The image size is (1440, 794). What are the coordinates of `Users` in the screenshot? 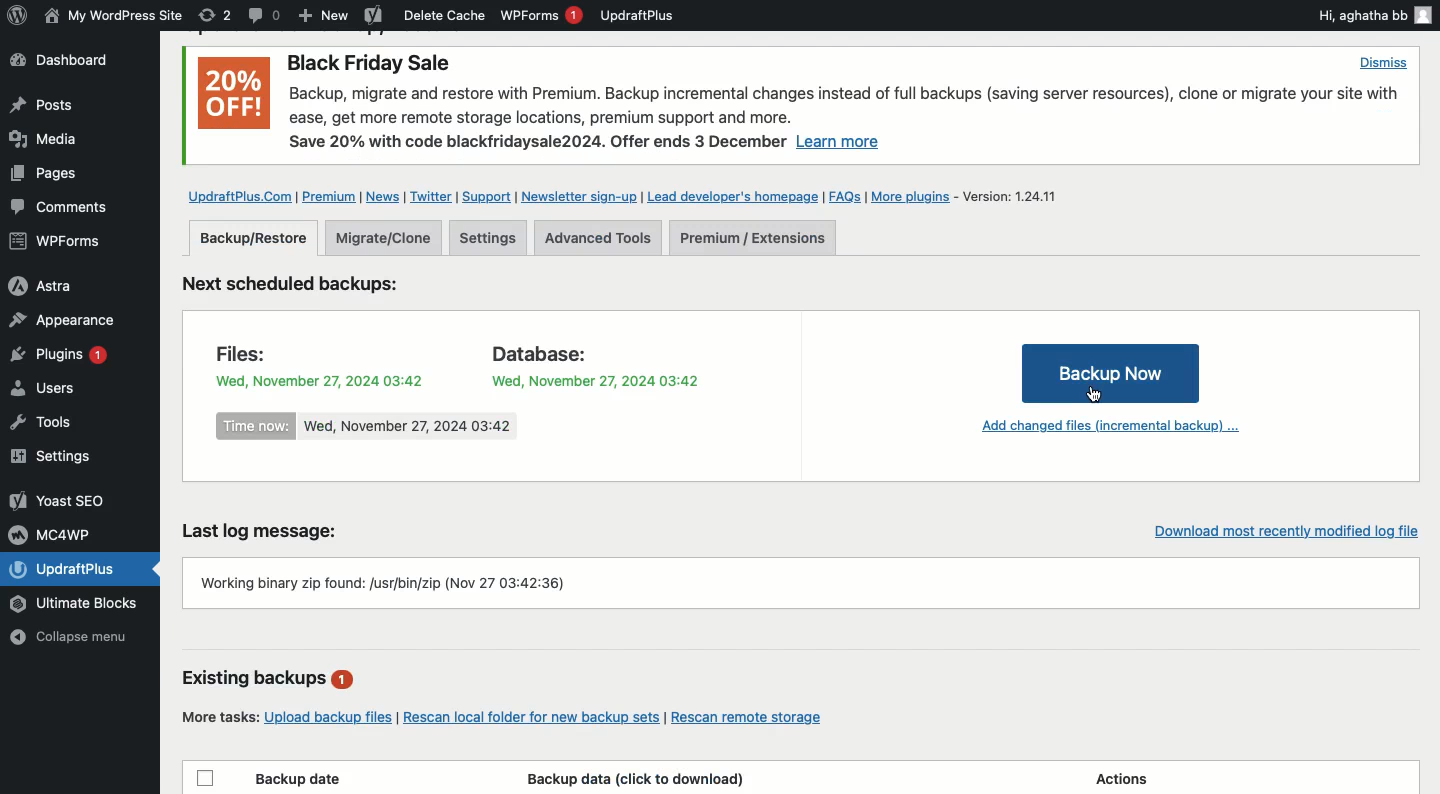 It's located at (63, 391).